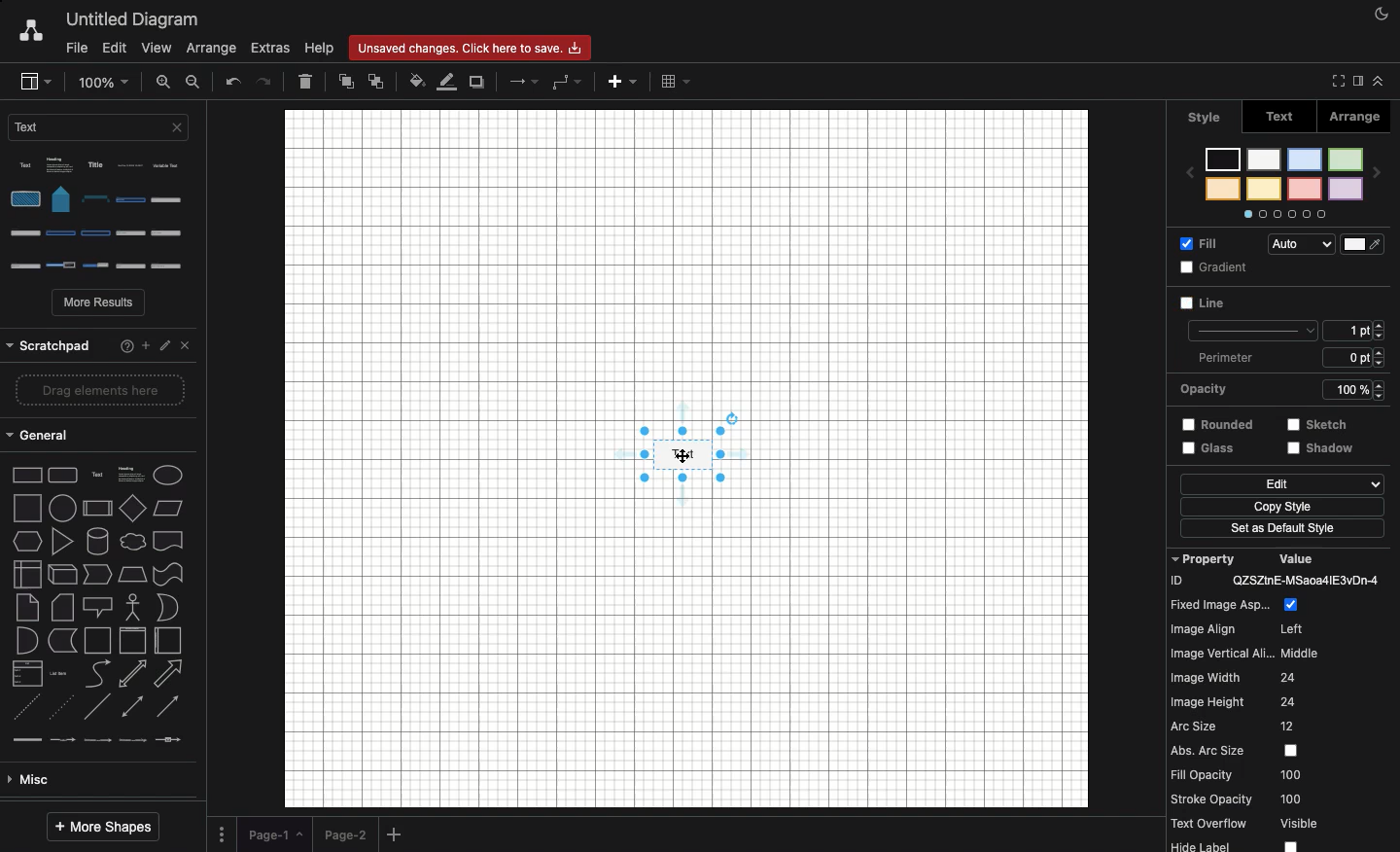 The height and width of the screenshot is (852, 1400). Describe the element at coordinates (1209, 247) in the screenshot. I see `Fill` at that location.